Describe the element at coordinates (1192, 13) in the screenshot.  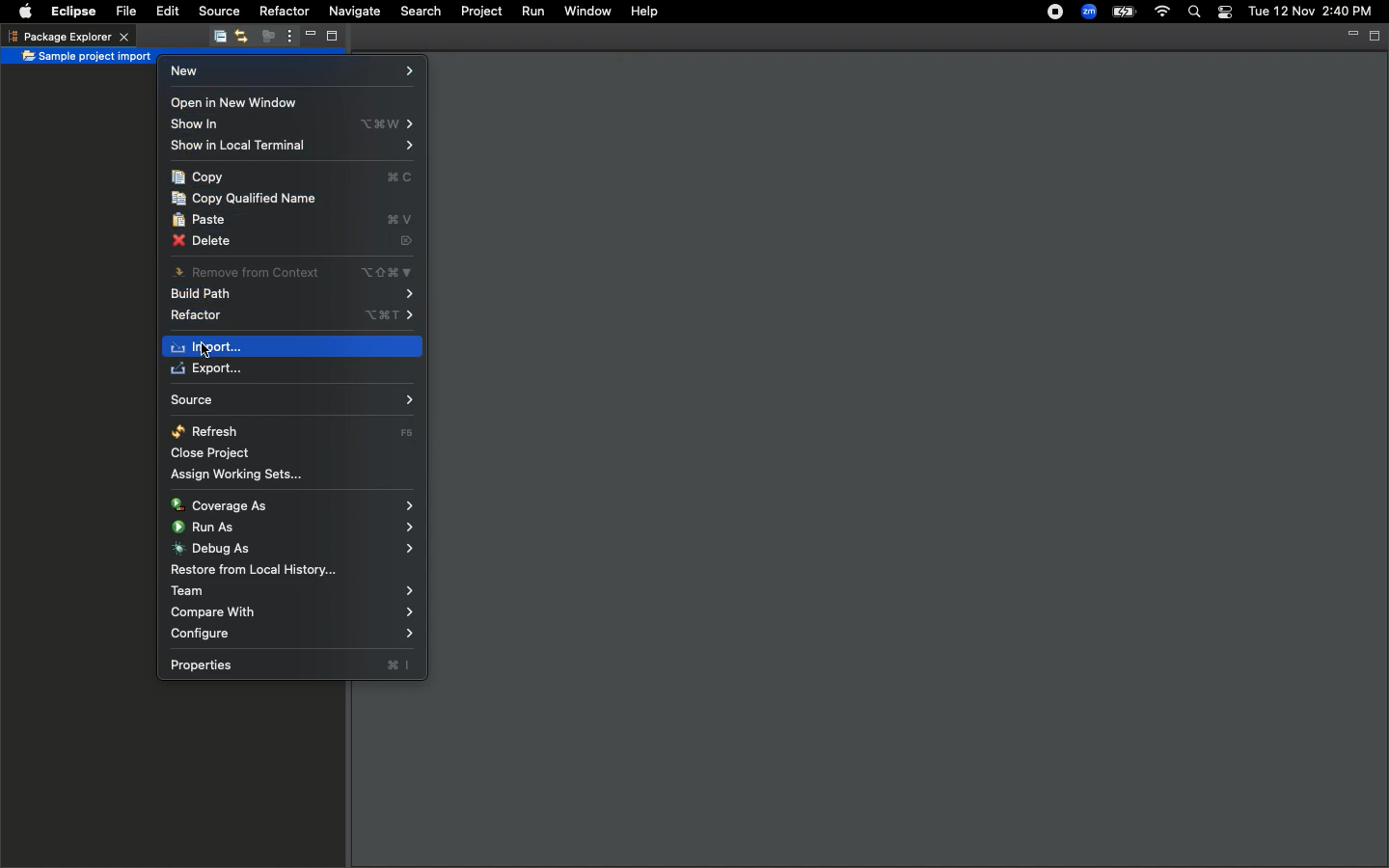
I see `Search` at that location.